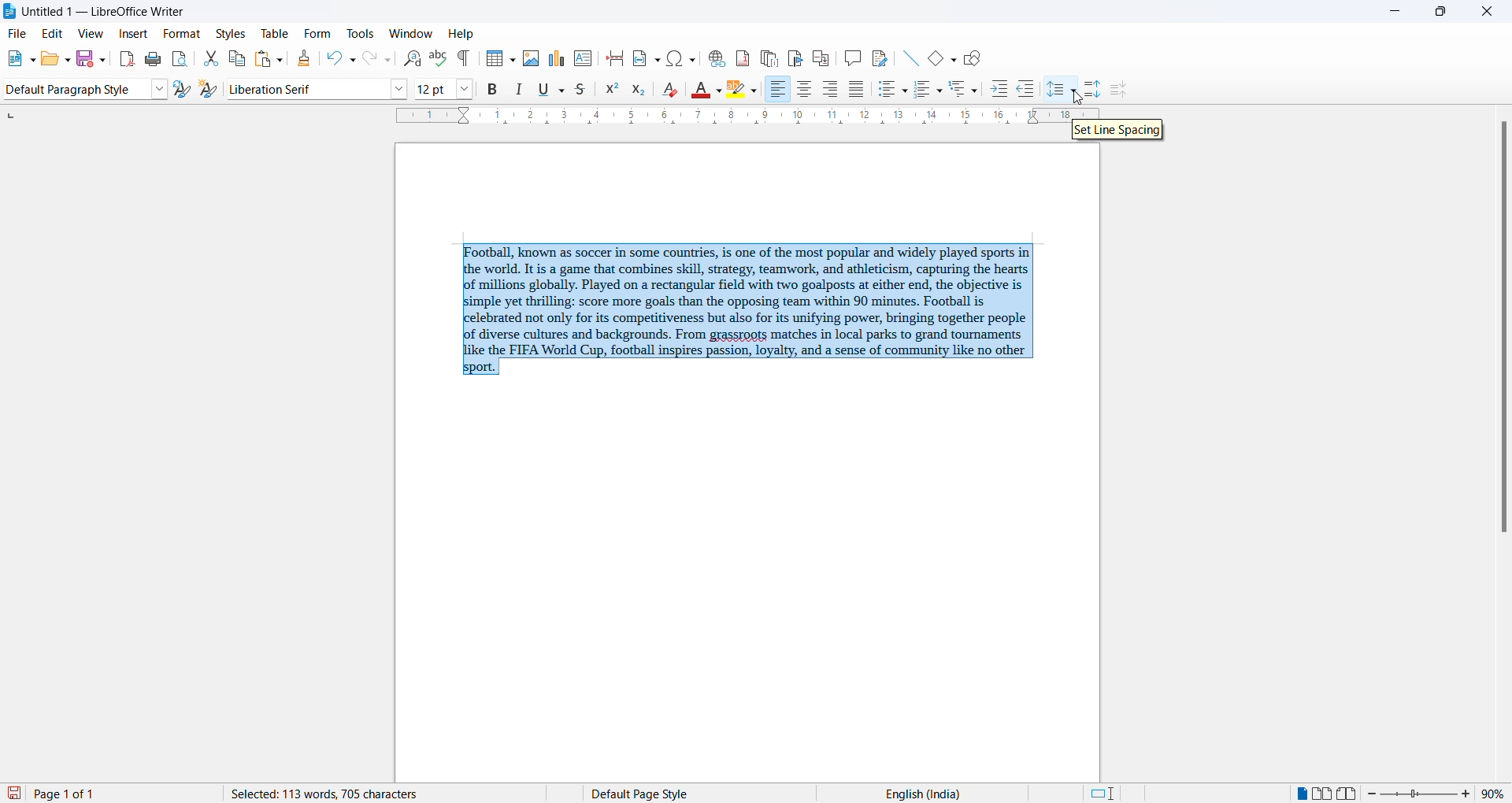 The height and width of the screenshot is (803, 1512). Describe the element at coordinates (750, 308) in the screenshot. I see `selected paragraph` at that location.